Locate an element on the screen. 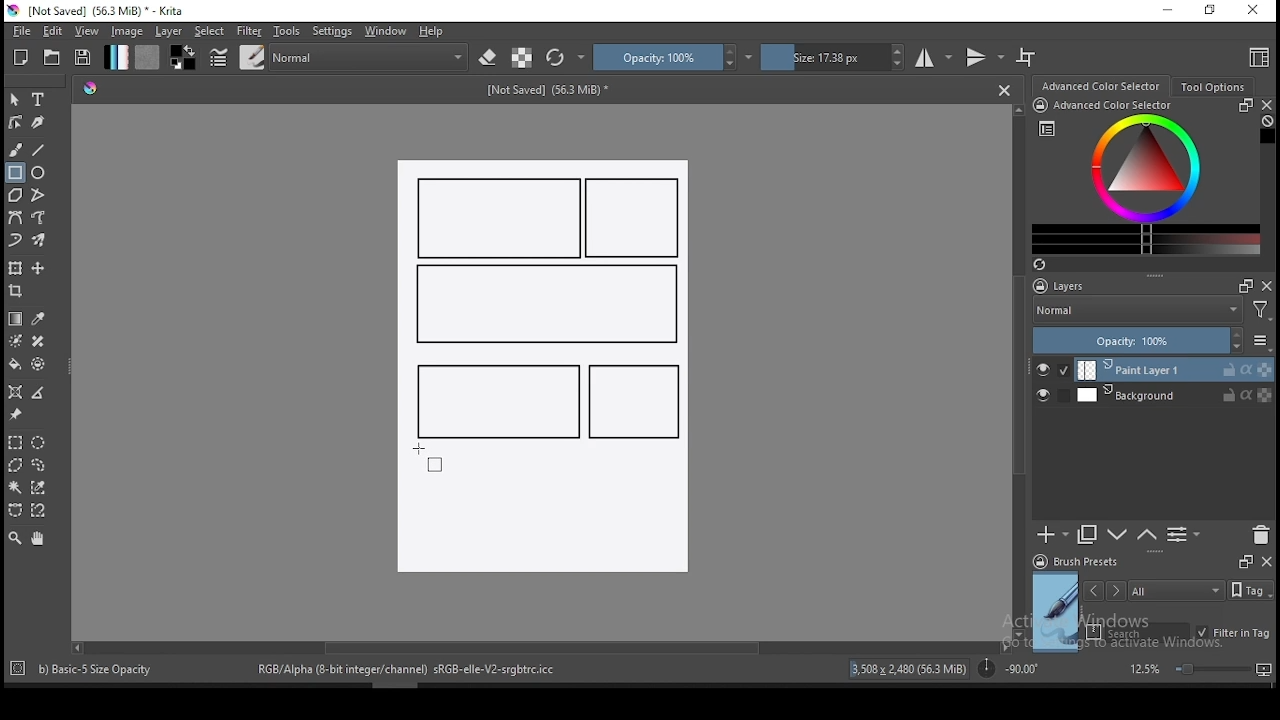 The height and width of the screenshot is (720, 1280). pattern is located at coordinates (147, 57).